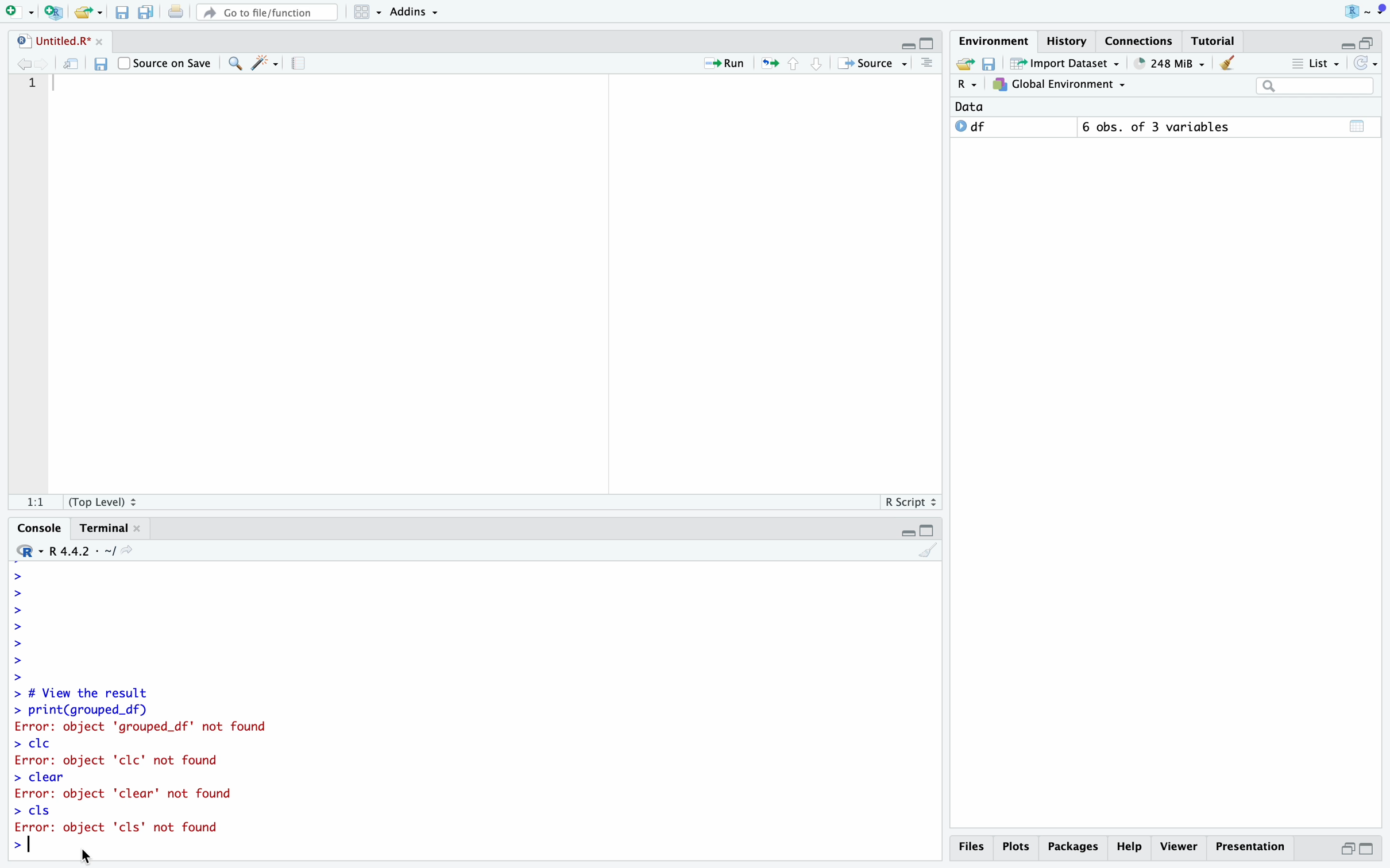 This screenshot has width=1390, height=868. What do you see at coordinates (1345, 848) in the screenshot?
I see `Half Height` at bounding box center [1345, 848].